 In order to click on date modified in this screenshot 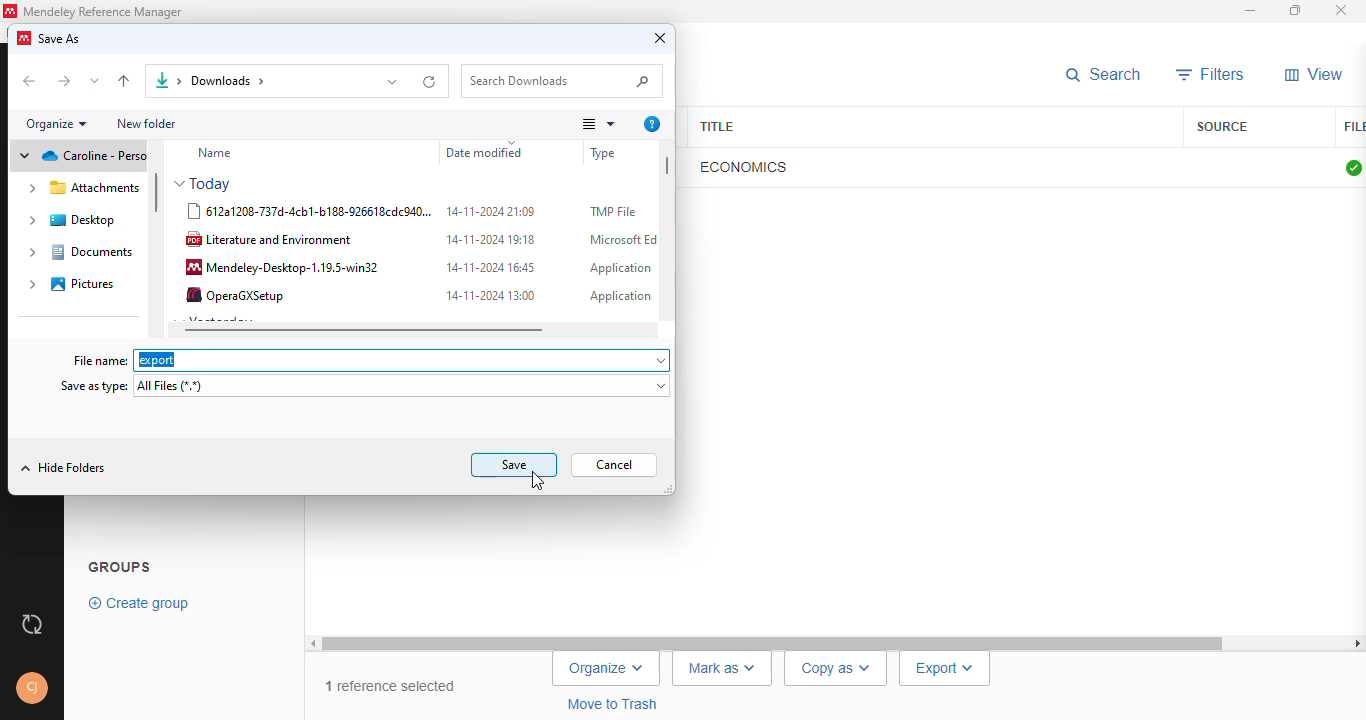, I will do `click(488, 153)`.